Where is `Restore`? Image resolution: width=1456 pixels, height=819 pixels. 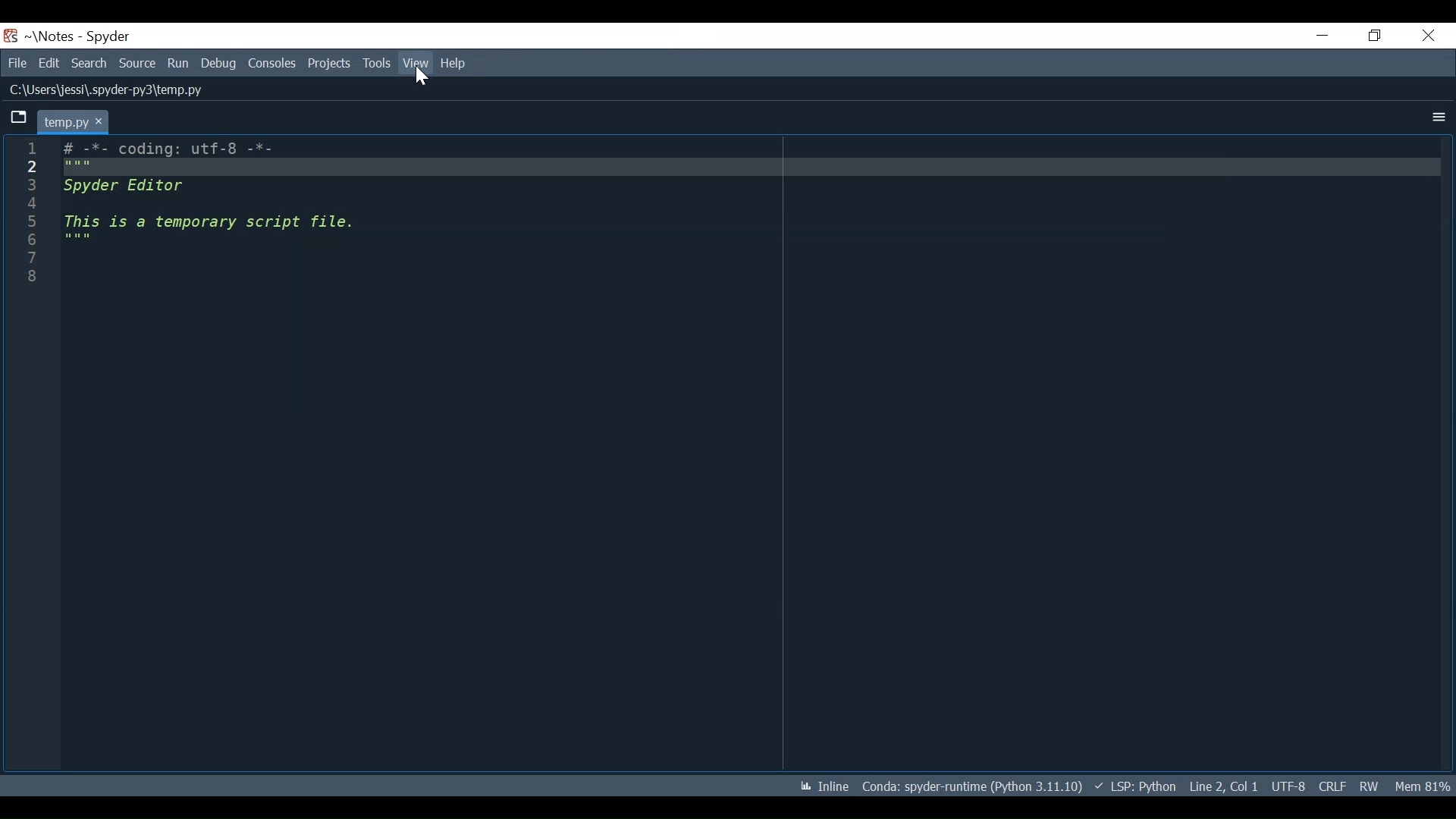 Restore is located at coordinates (1370, 36).